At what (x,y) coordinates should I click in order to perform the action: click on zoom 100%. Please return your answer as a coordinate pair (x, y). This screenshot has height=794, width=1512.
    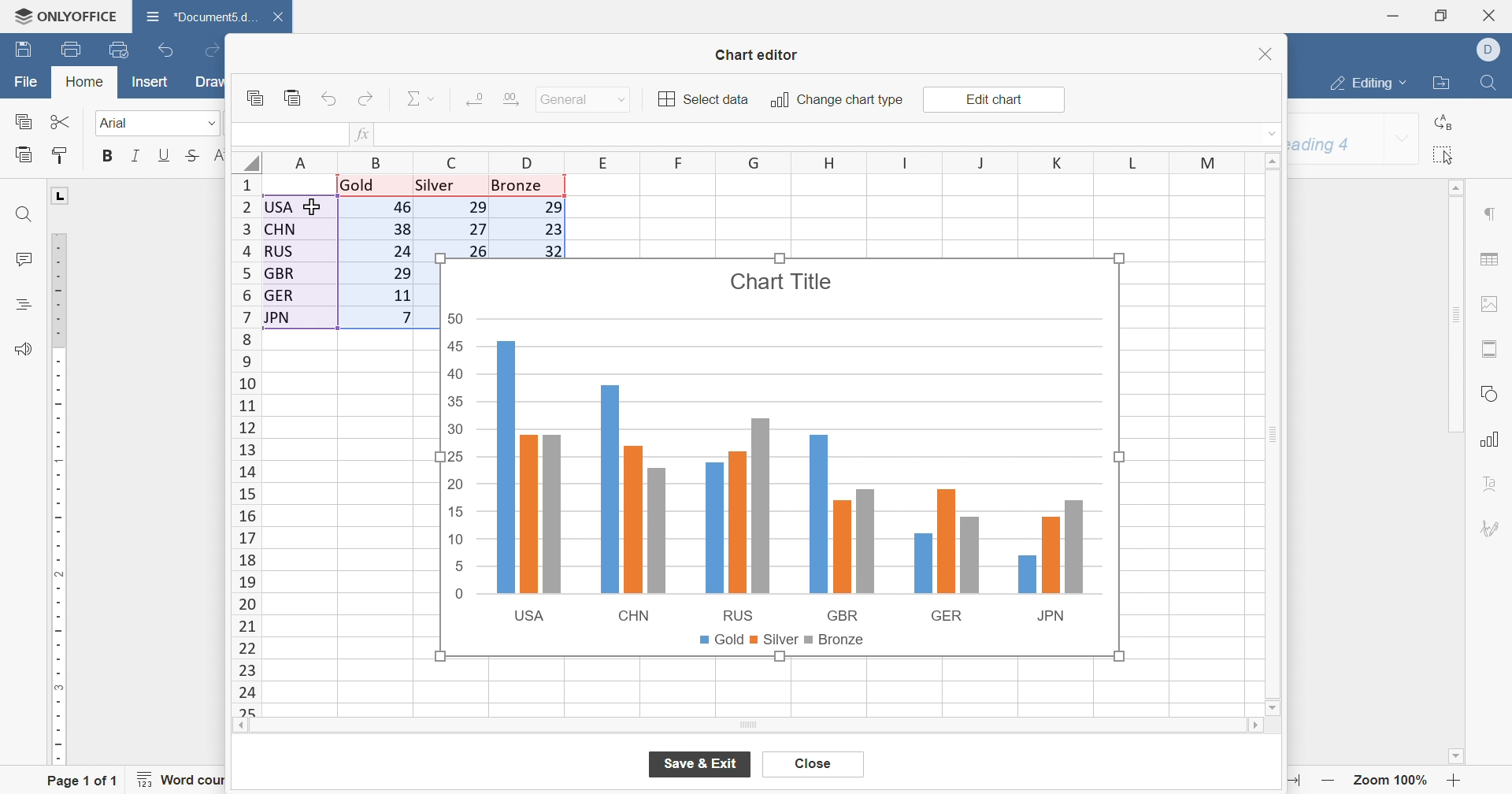
    Looking at the image, I should click on (1392, 779).